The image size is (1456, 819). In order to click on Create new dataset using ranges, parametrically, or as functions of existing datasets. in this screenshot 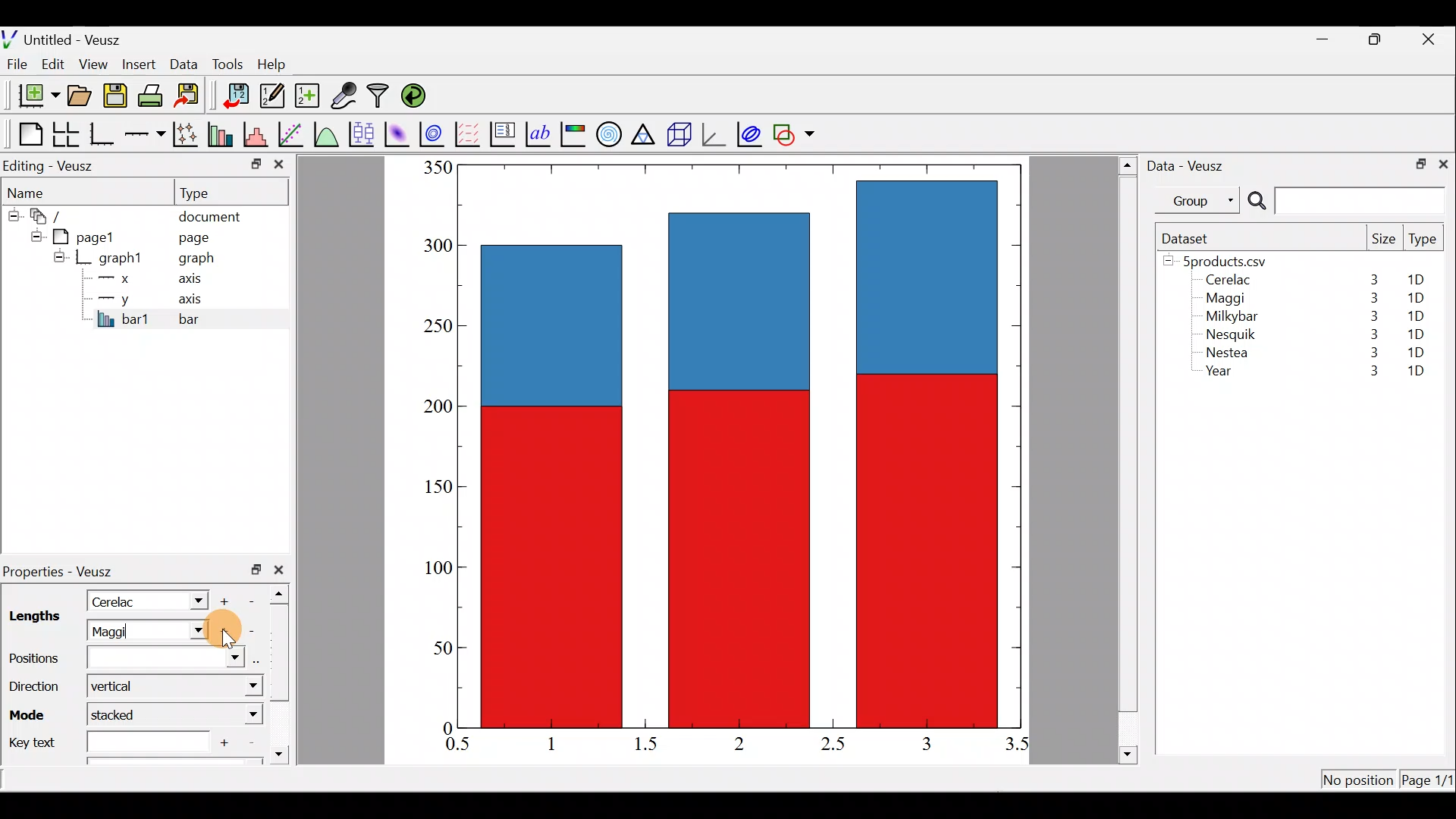, I will do `click(309, 96)`.